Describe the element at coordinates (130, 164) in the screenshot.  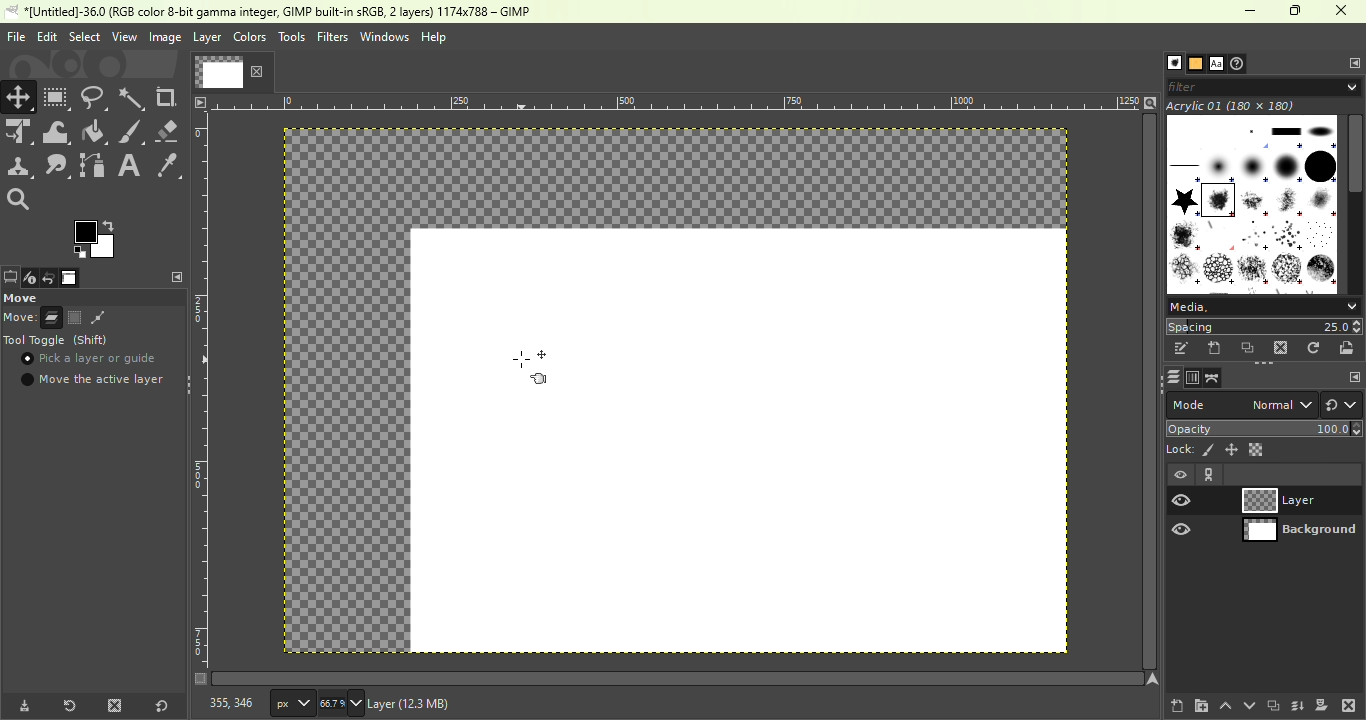
I see `Text tool` at that location.